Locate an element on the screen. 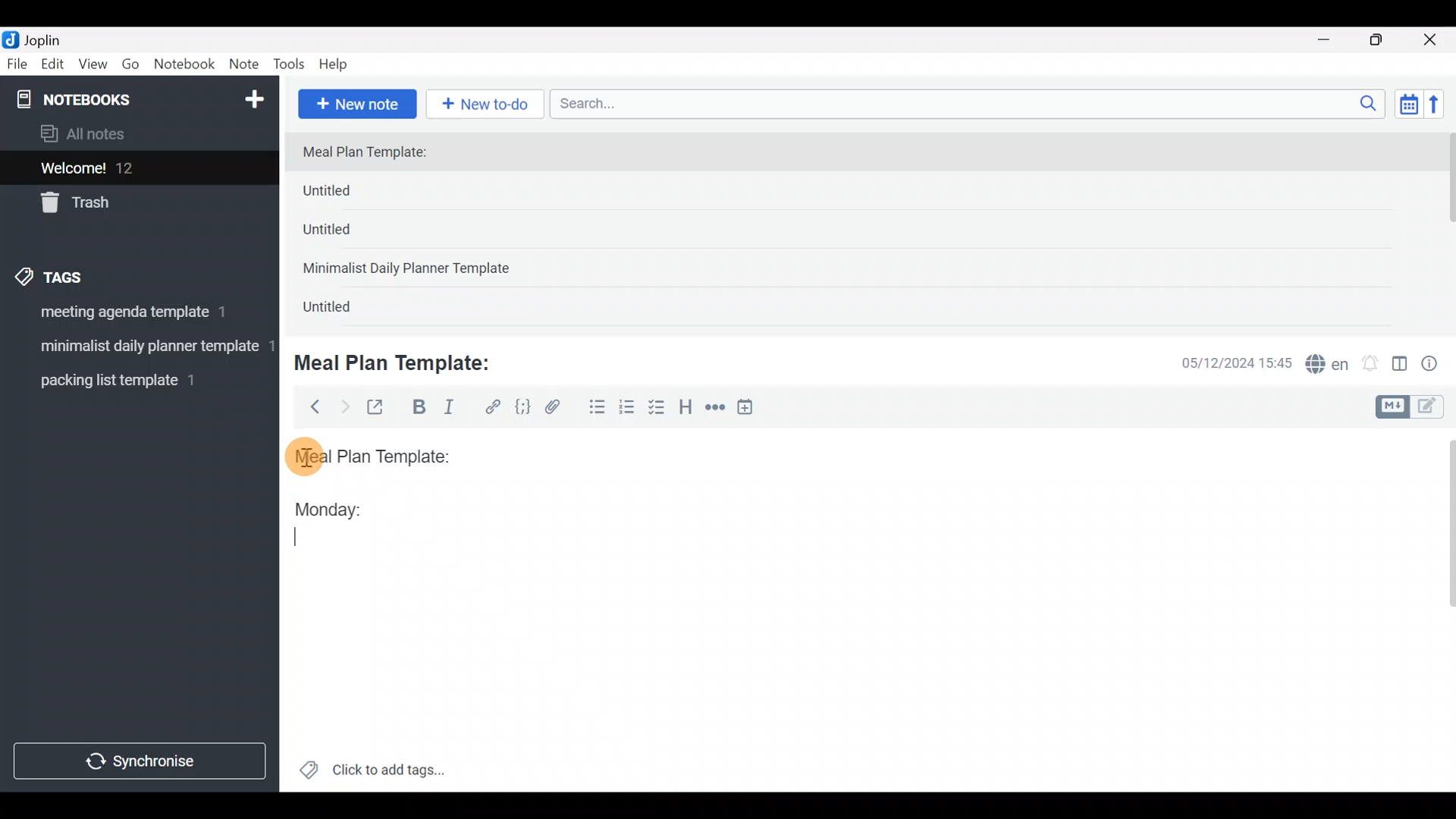 This screenshot has width=1456, height=819. Numbered list is located at coordinates (627, 410).